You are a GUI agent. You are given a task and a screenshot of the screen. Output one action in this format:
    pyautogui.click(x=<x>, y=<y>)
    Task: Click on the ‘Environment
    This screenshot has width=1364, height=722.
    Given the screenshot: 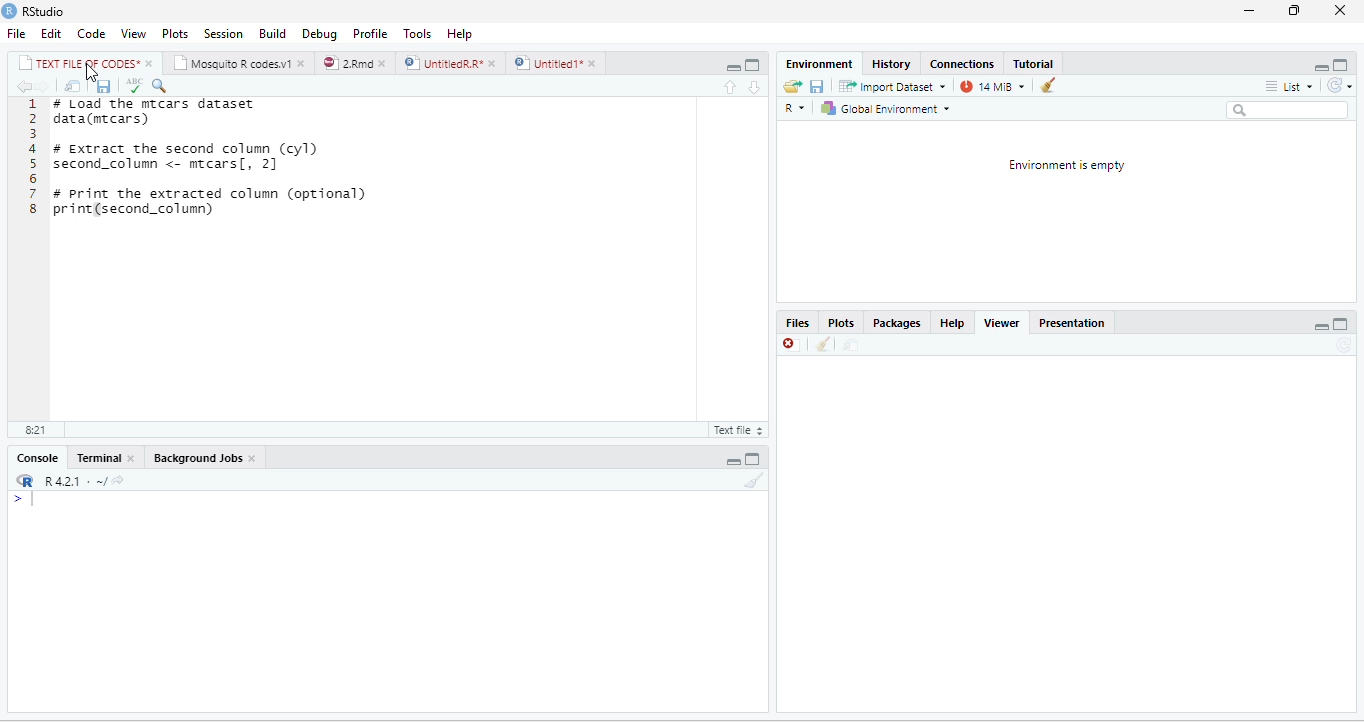 What is the action you would take?
    pyautogui.click(x=817, y=64)
    